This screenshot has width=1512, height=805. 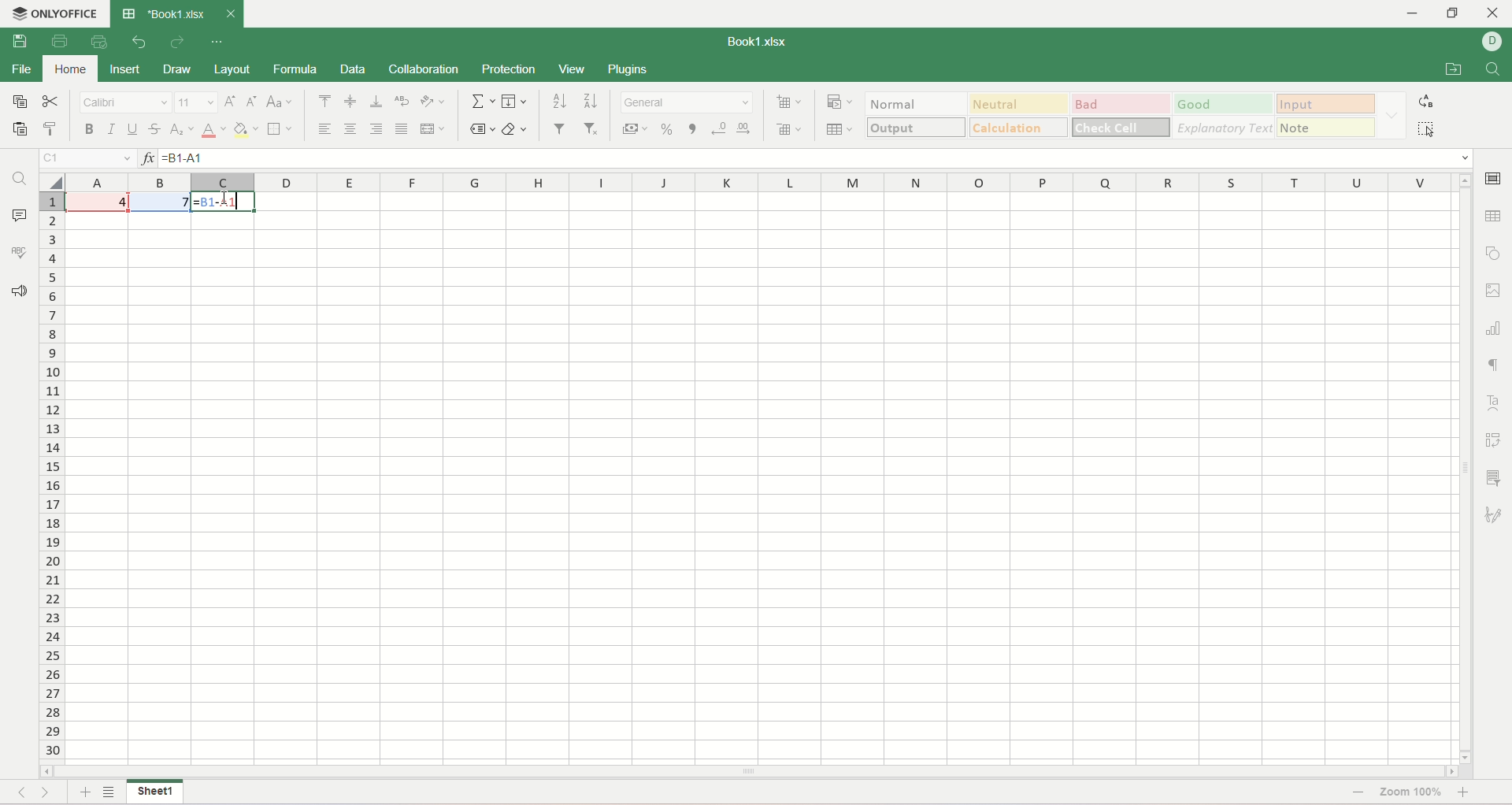 I want to click on border, so click(x=281, y=128).